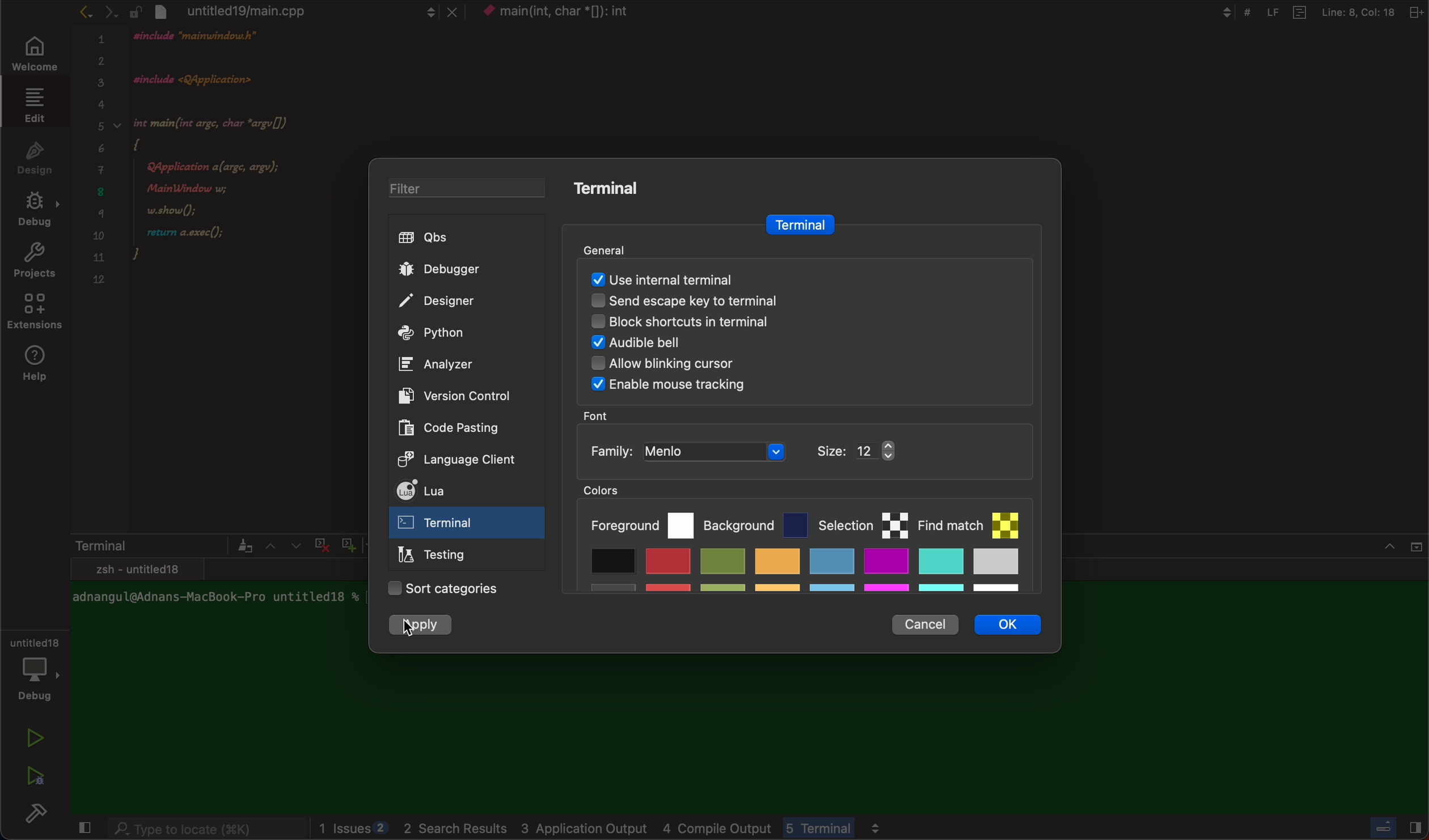 This screenshot has width=1429, height=840. I want to click on color list, so click(803, 574).